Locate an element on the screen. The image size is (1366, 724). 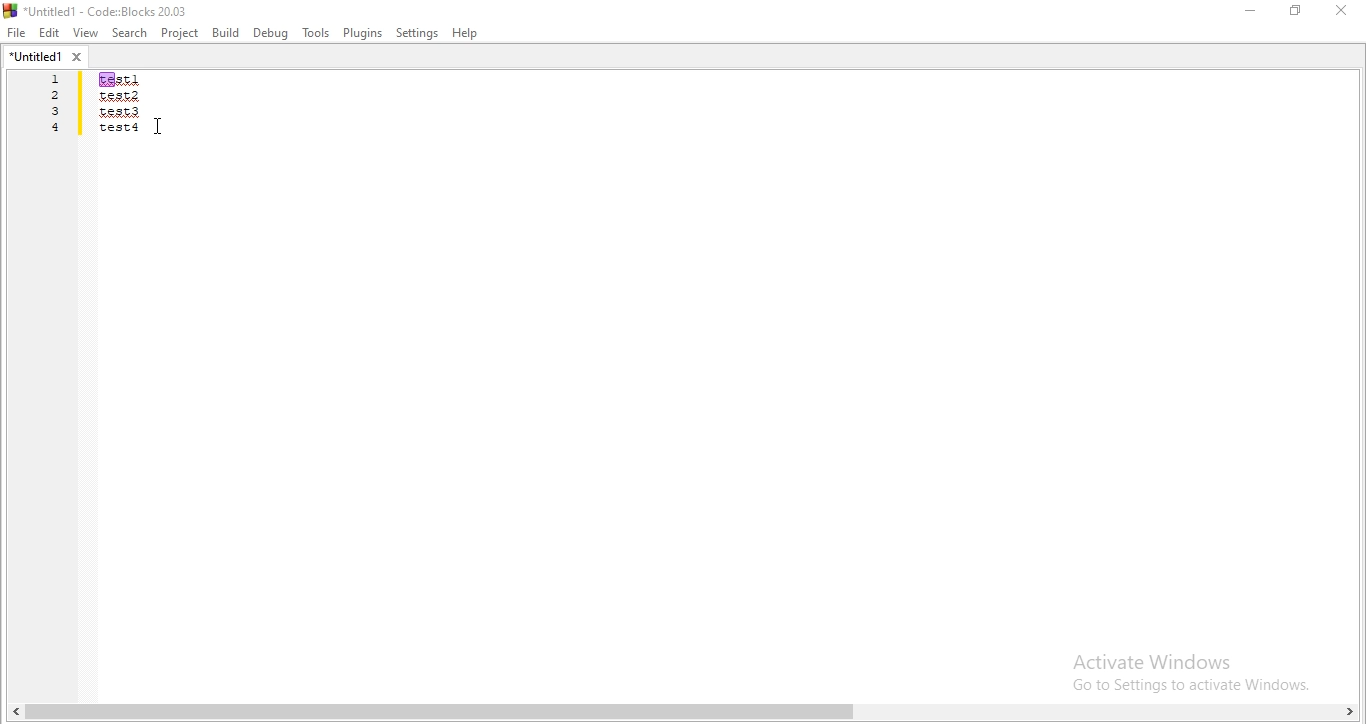
Maximize is located at coordinates (1299, 13).